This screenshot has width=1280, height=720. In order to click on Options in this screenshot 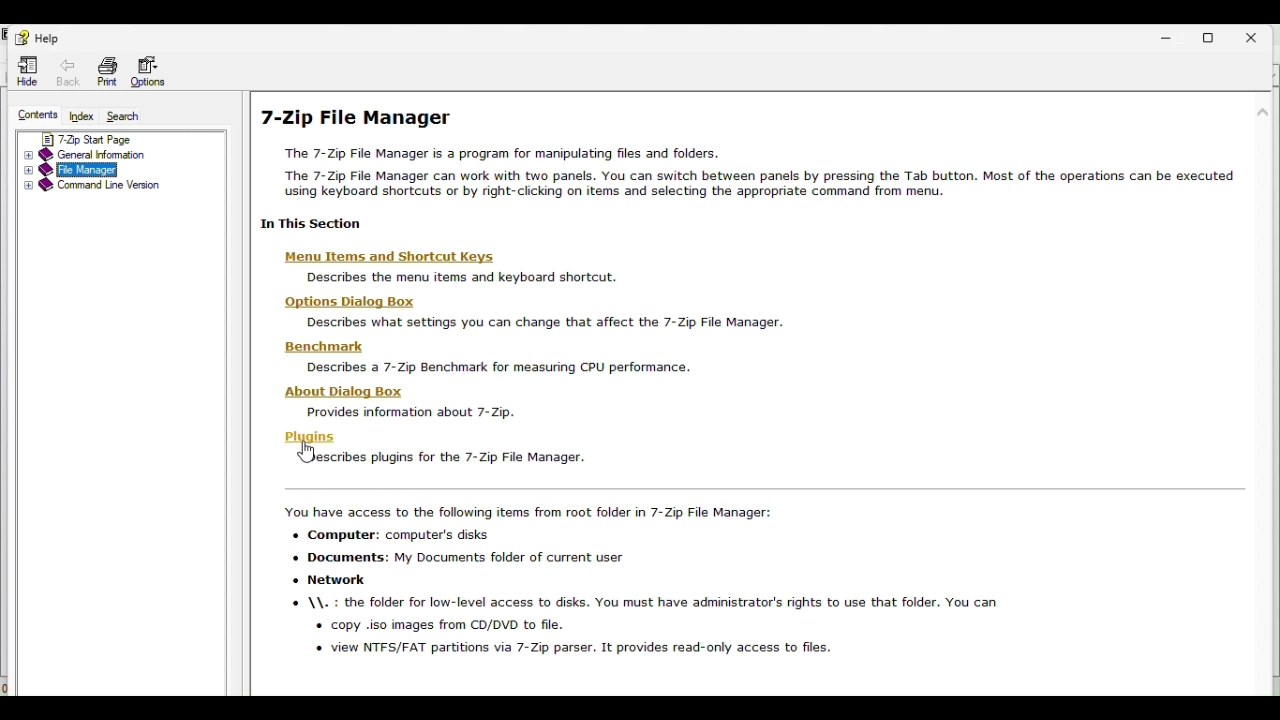, I will do `click(159, 71)`.